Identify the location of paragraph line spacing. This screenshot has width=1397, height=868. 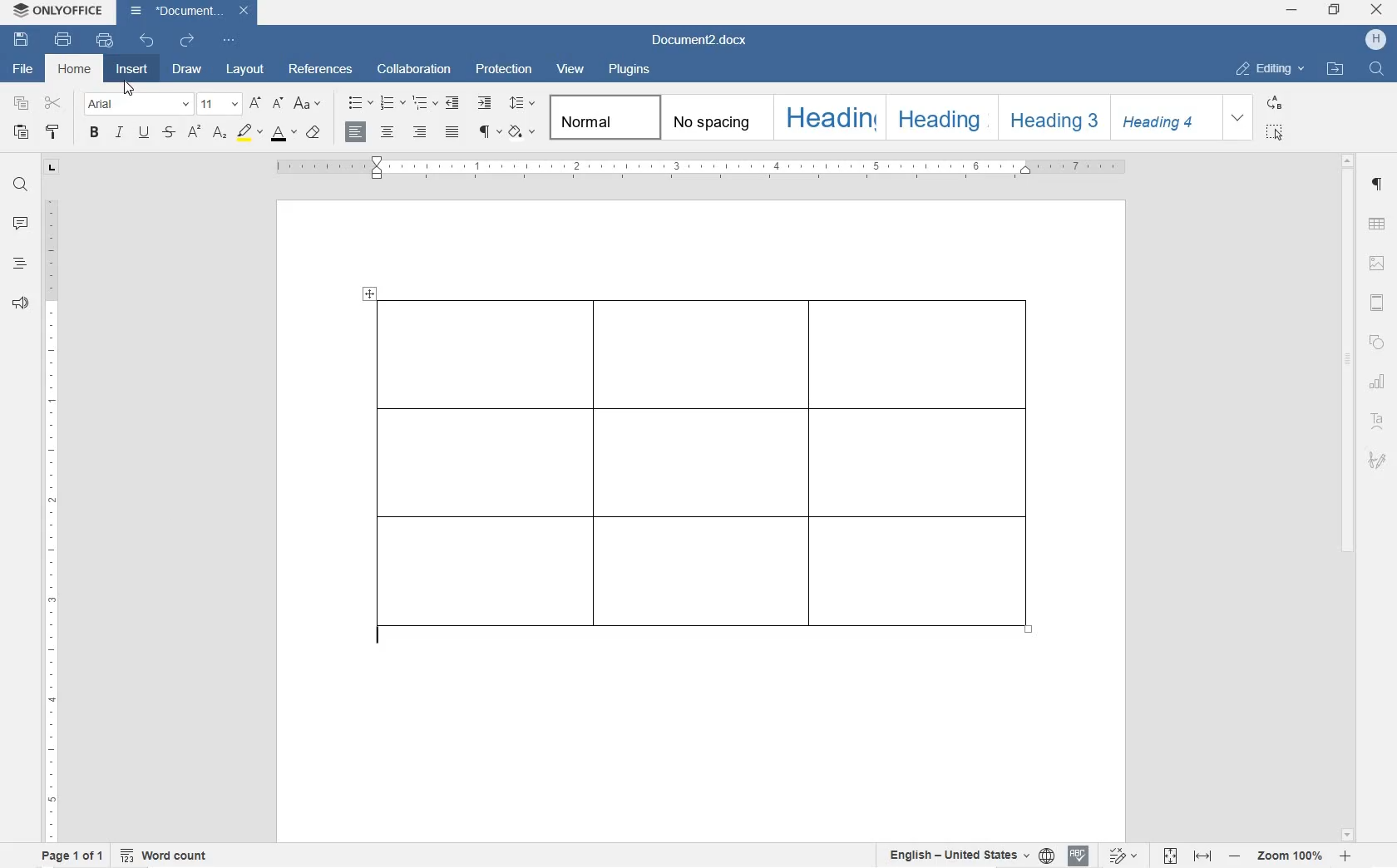
(522, 103).